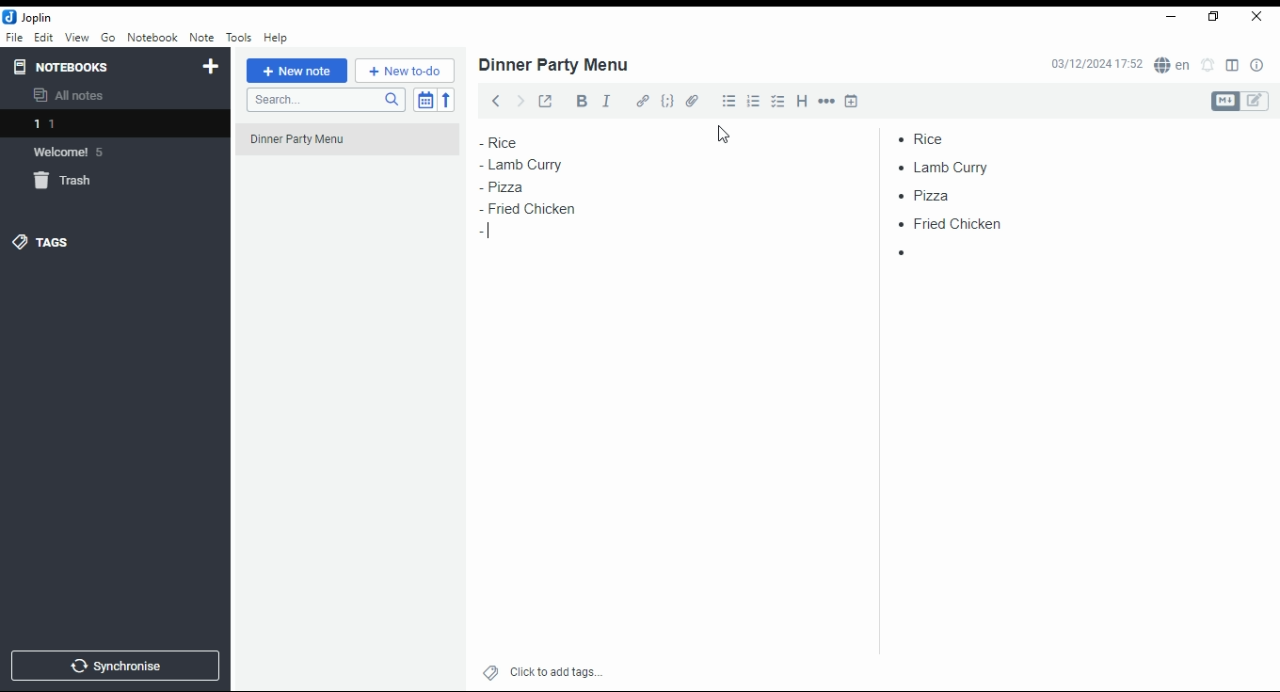 This screenshot has width=1280, height=692. Describe the element at coordinates (296, 71) in the screenshot. I see `new note` at that location.